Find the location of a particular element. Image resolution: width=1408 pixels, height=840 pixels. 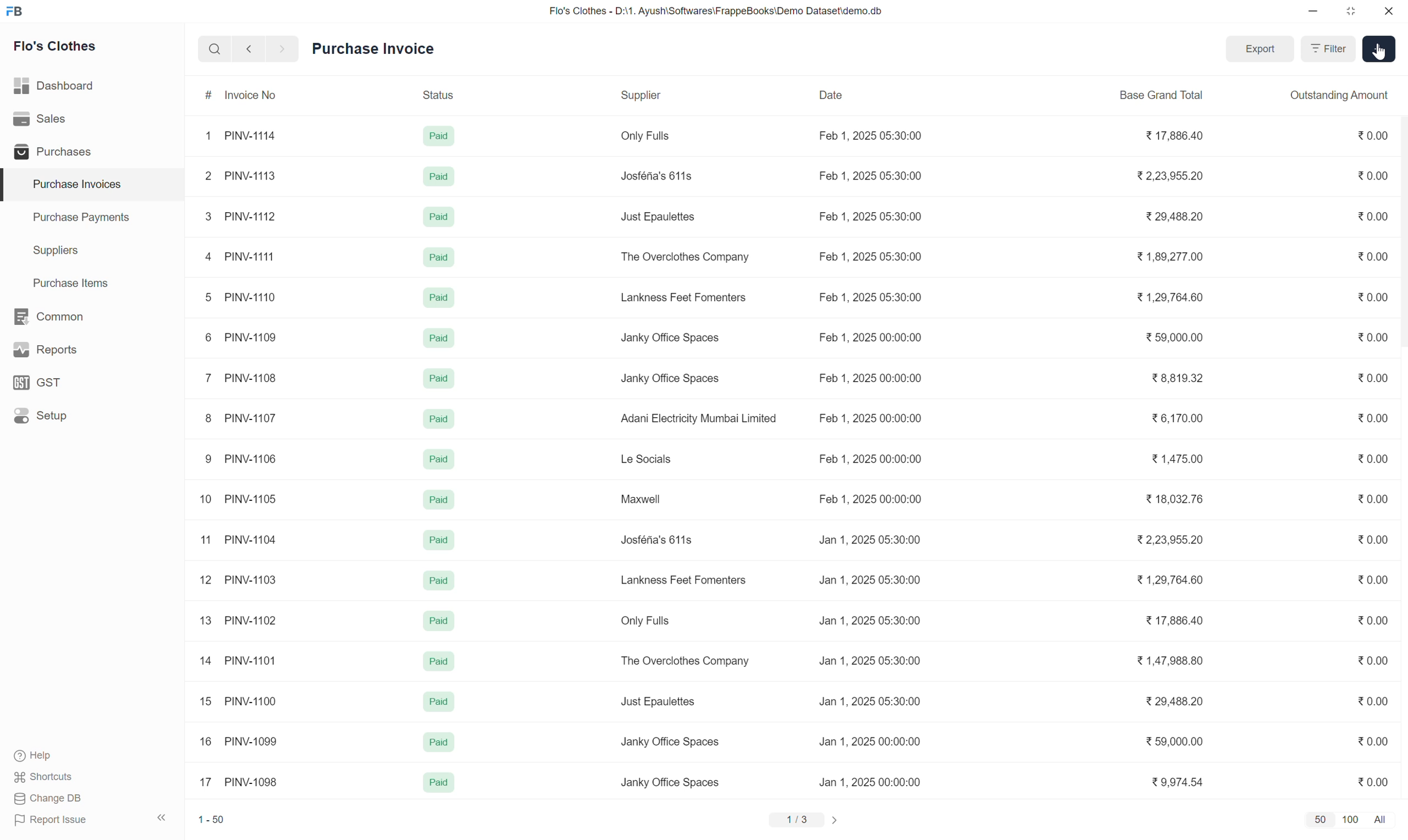

3 PINV-1112 is located at coordinates (241, 216).